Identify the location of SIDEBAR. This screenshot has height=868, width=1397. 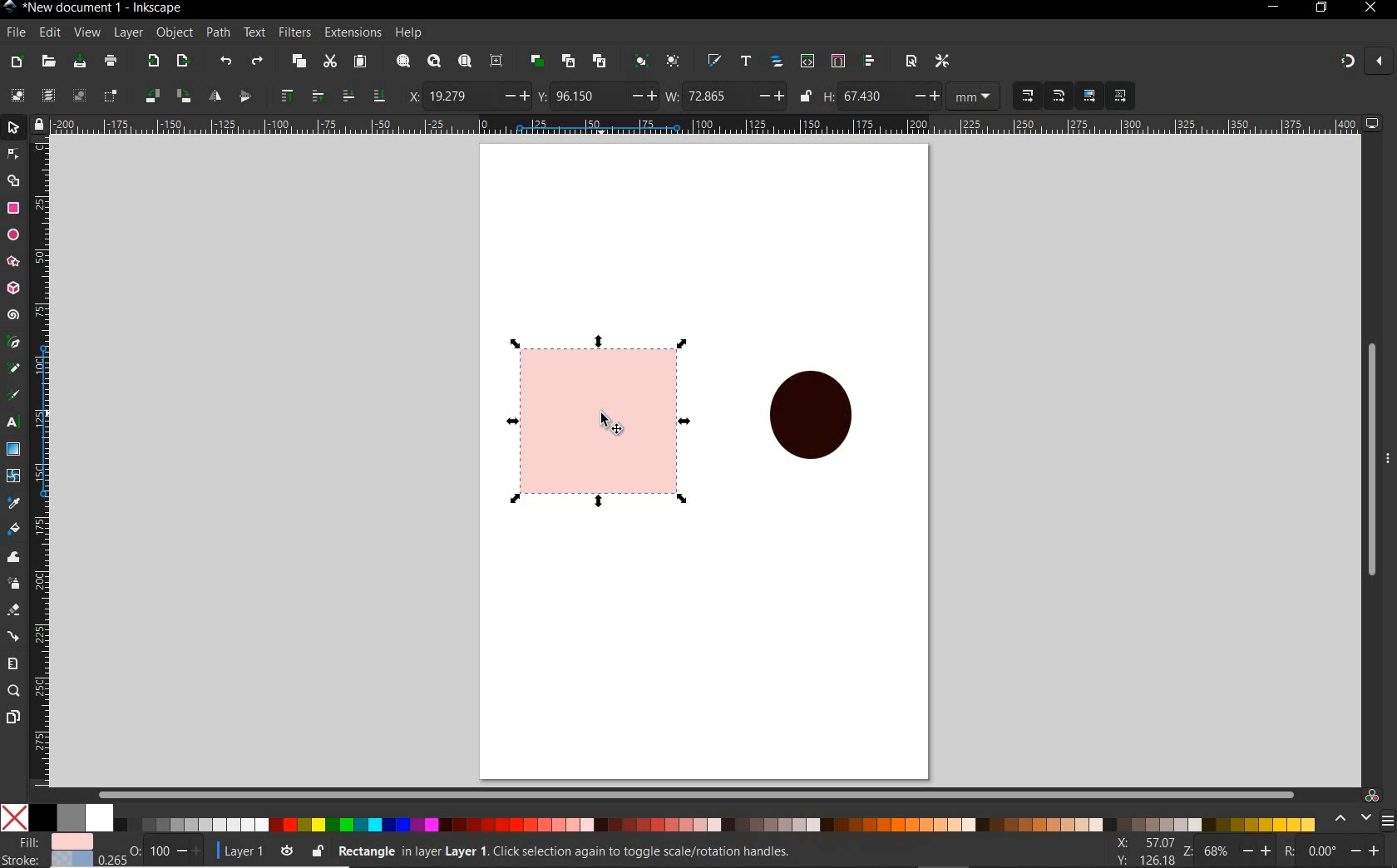
(1389, 821).